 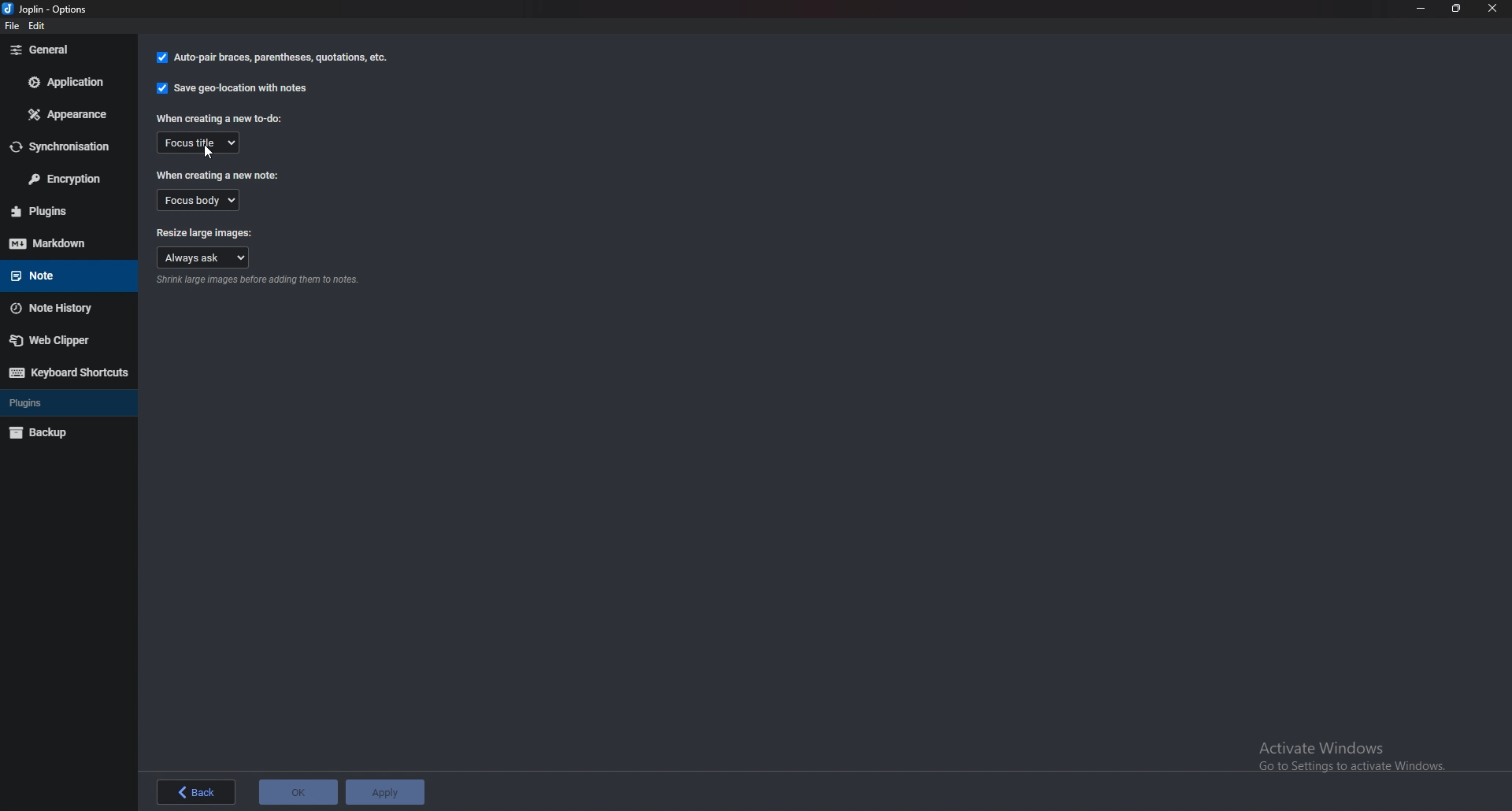 What do you see at coordinates (60, 275) in the screenshot?
I see `note` at bounding box center [60, 275].